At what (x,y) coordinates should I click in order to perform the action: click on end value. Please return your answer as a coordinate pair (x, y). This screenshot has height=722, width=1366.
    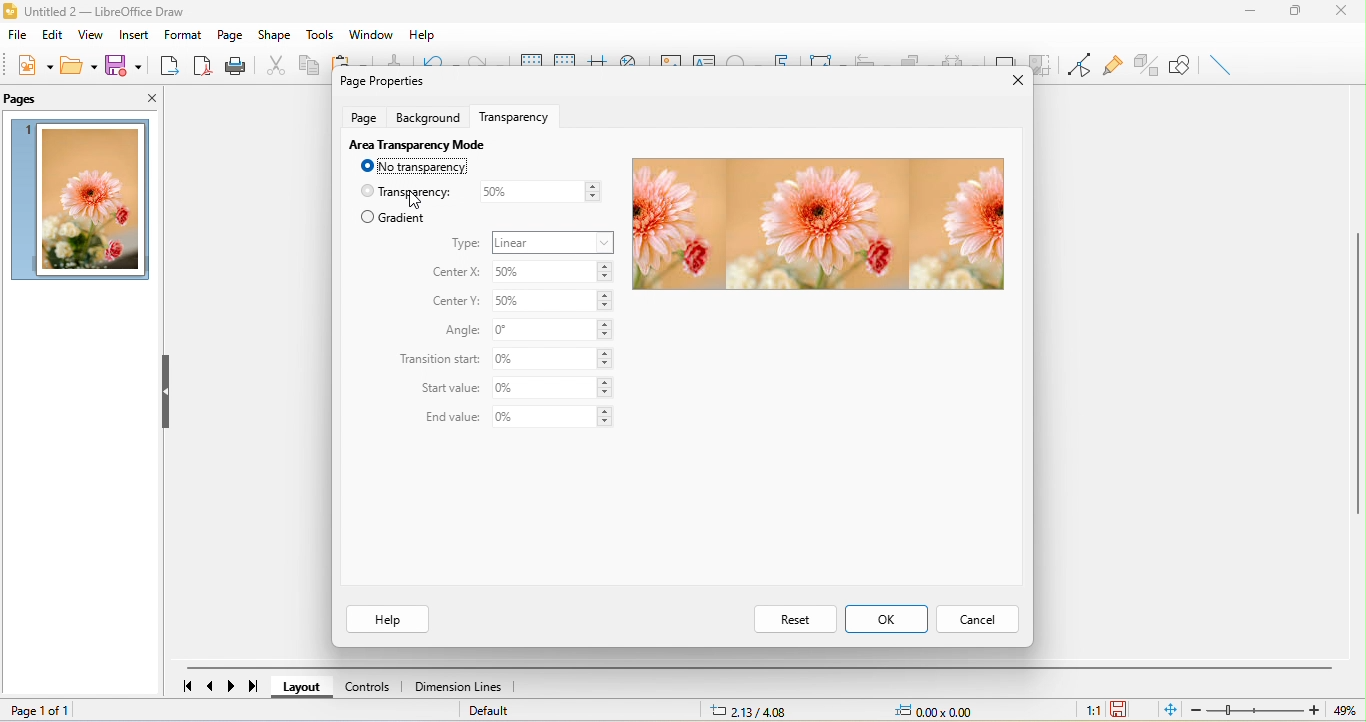
    Looking at the image, I should click on (447, 418).